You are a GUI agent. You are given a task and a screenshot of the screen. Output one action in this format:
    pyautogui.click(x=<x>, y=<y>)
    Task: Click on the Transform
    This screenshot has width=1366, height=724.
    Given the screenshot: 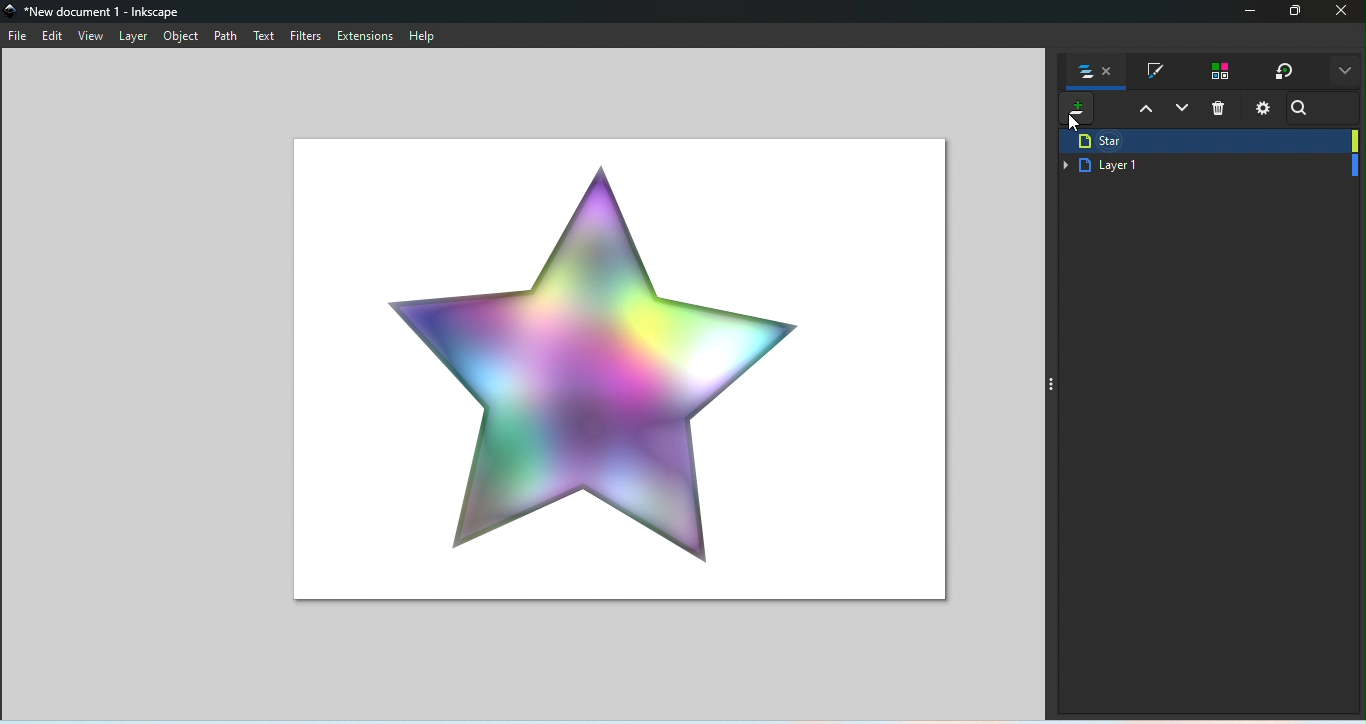 What is the action you would take?
    pyautogui.click(x=1284, y=72)
    